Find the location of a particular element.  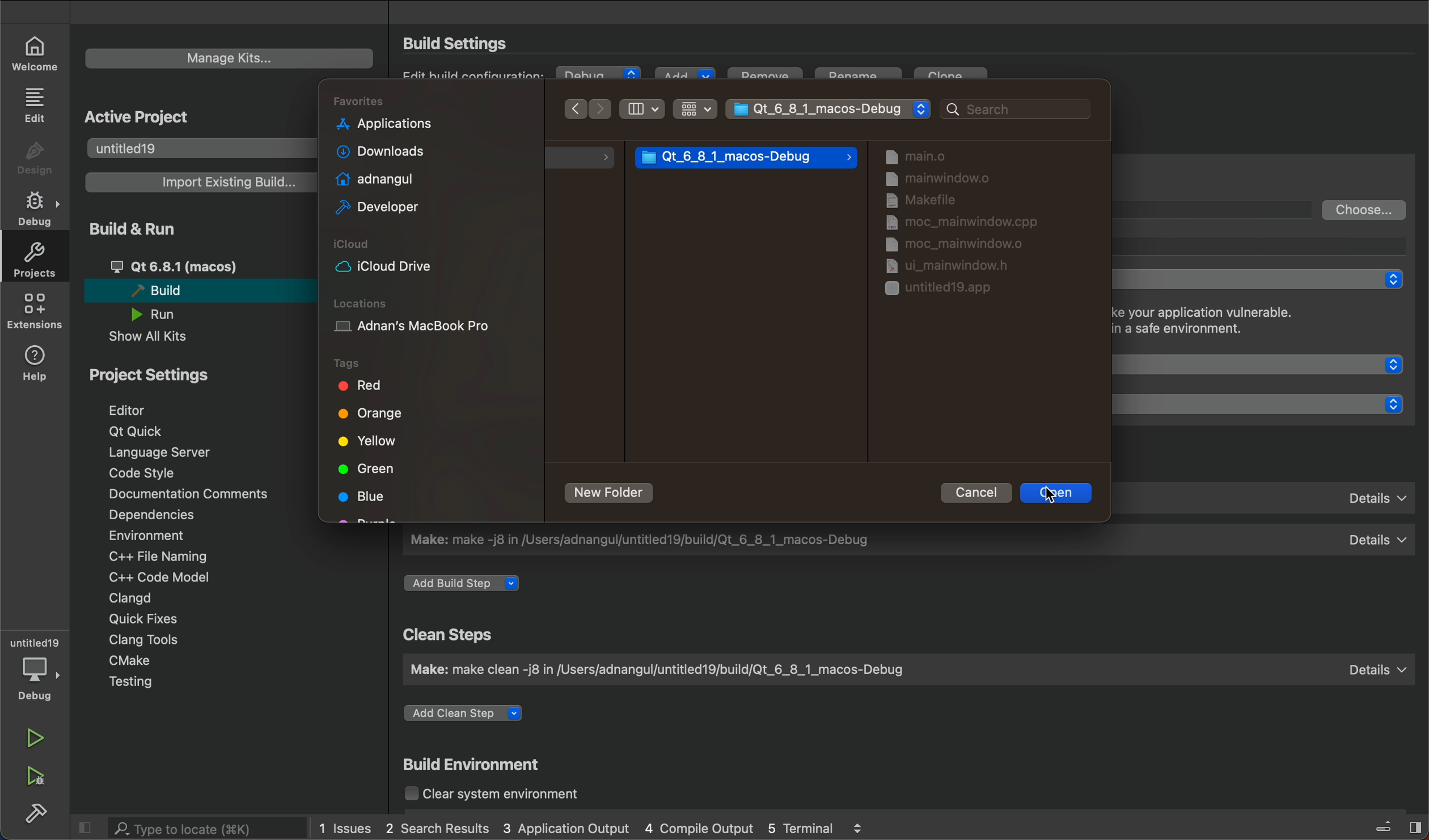

uc-mainwindow is located at coordinates (937, 265).